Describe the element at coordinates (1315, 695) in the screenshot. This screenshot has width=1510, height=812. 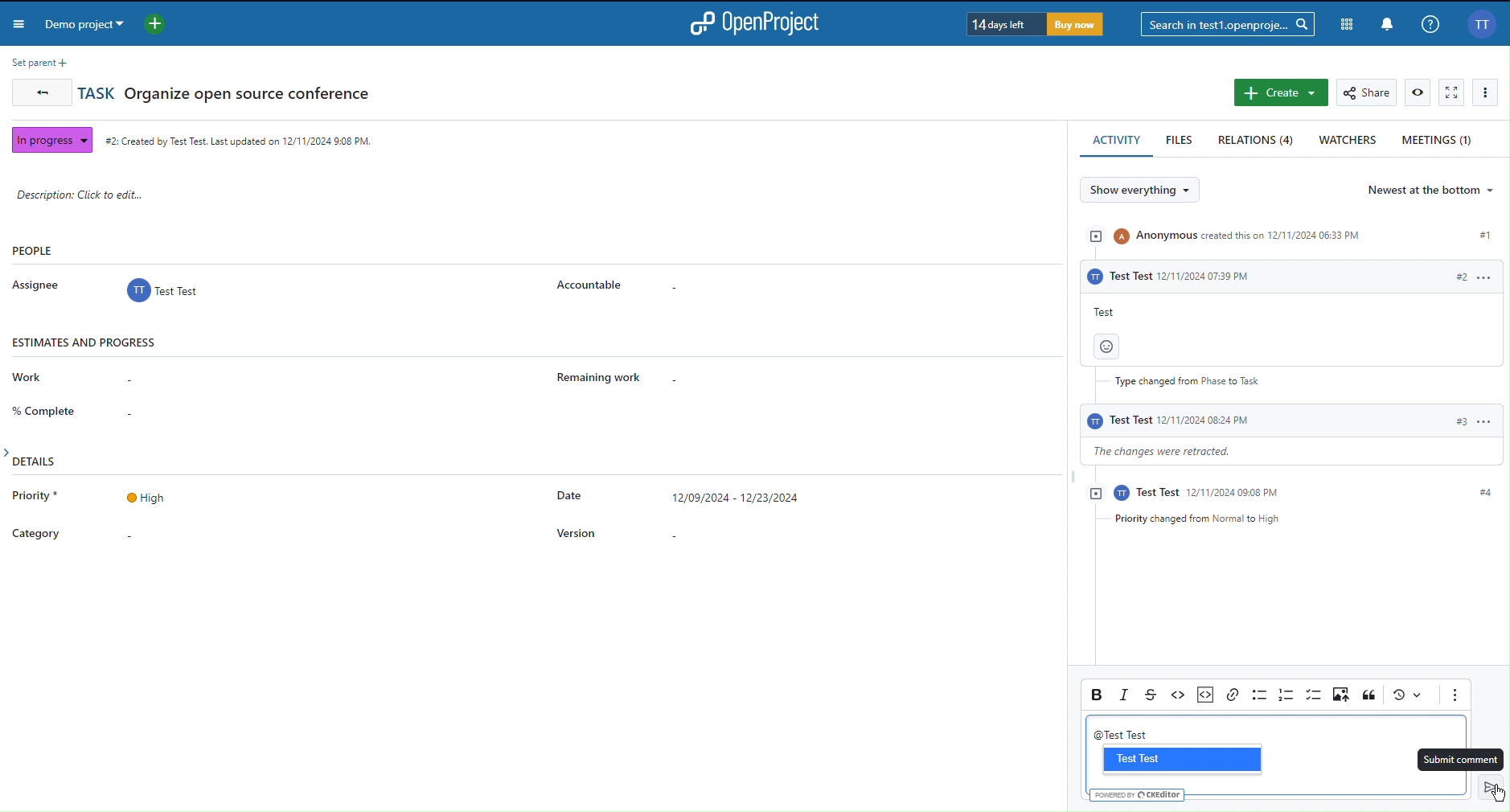
I see `Checklist` at that location.